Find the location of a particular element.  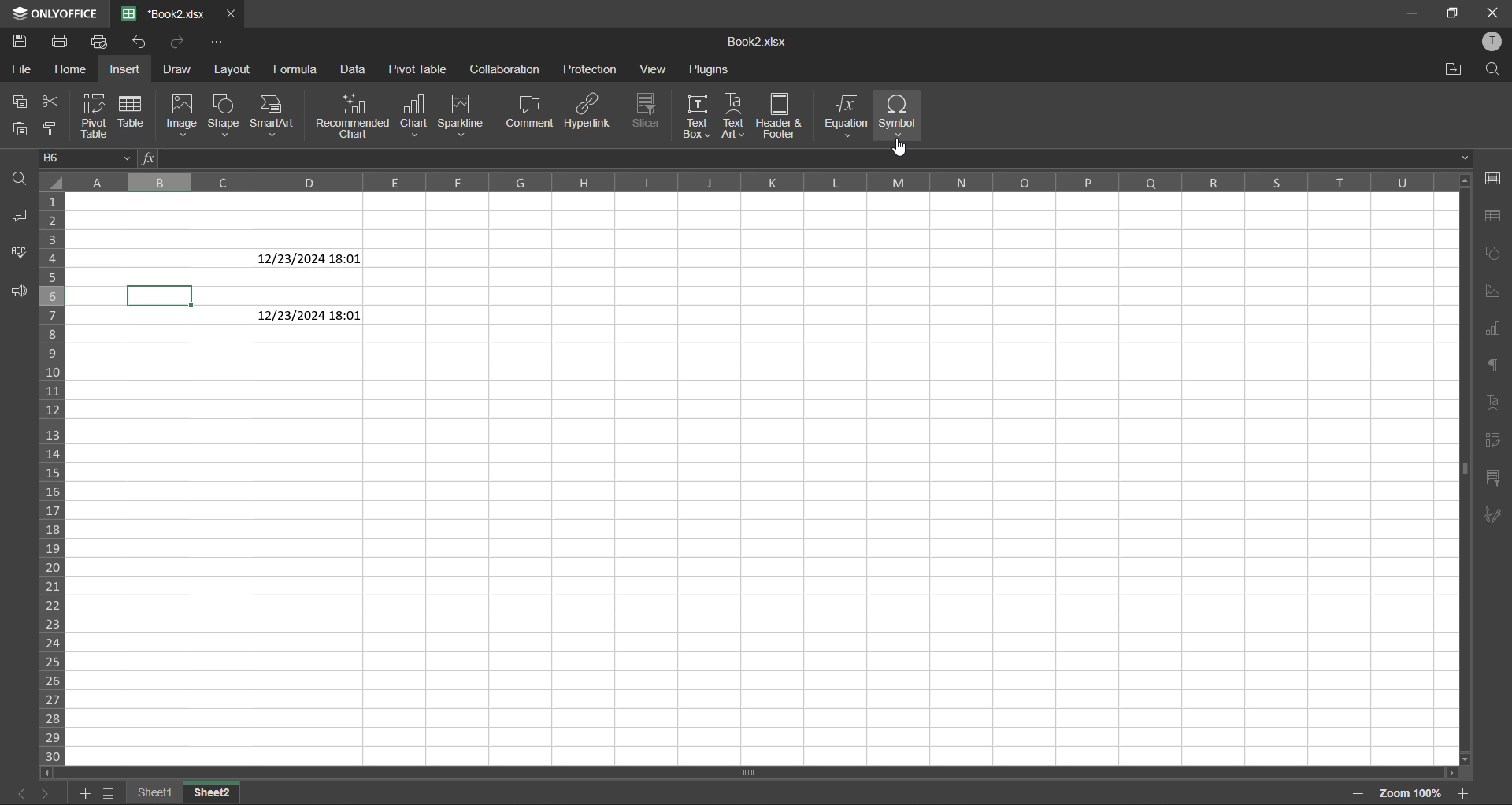

close is located at coordinates (232, 13).